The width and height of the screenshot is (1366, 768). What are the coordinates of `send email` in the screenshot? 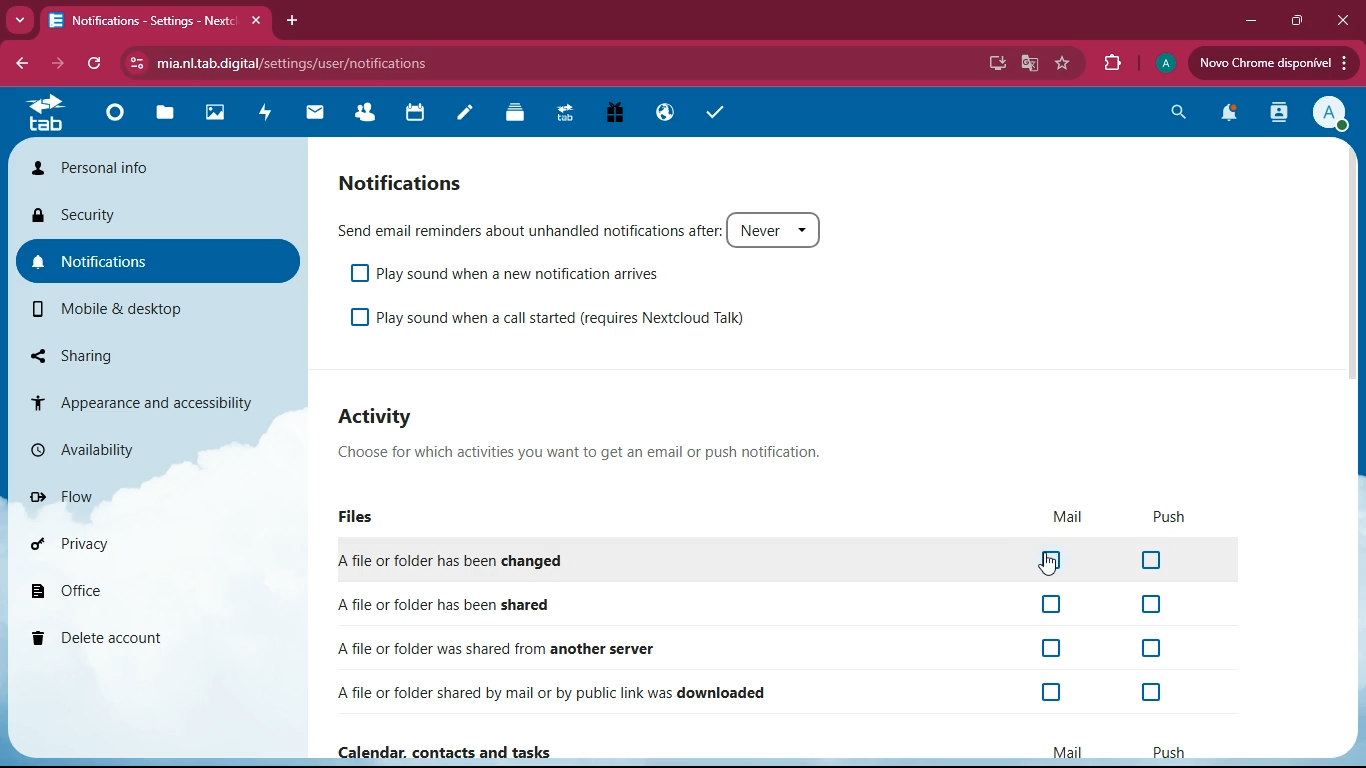 It's located at (528, 230).